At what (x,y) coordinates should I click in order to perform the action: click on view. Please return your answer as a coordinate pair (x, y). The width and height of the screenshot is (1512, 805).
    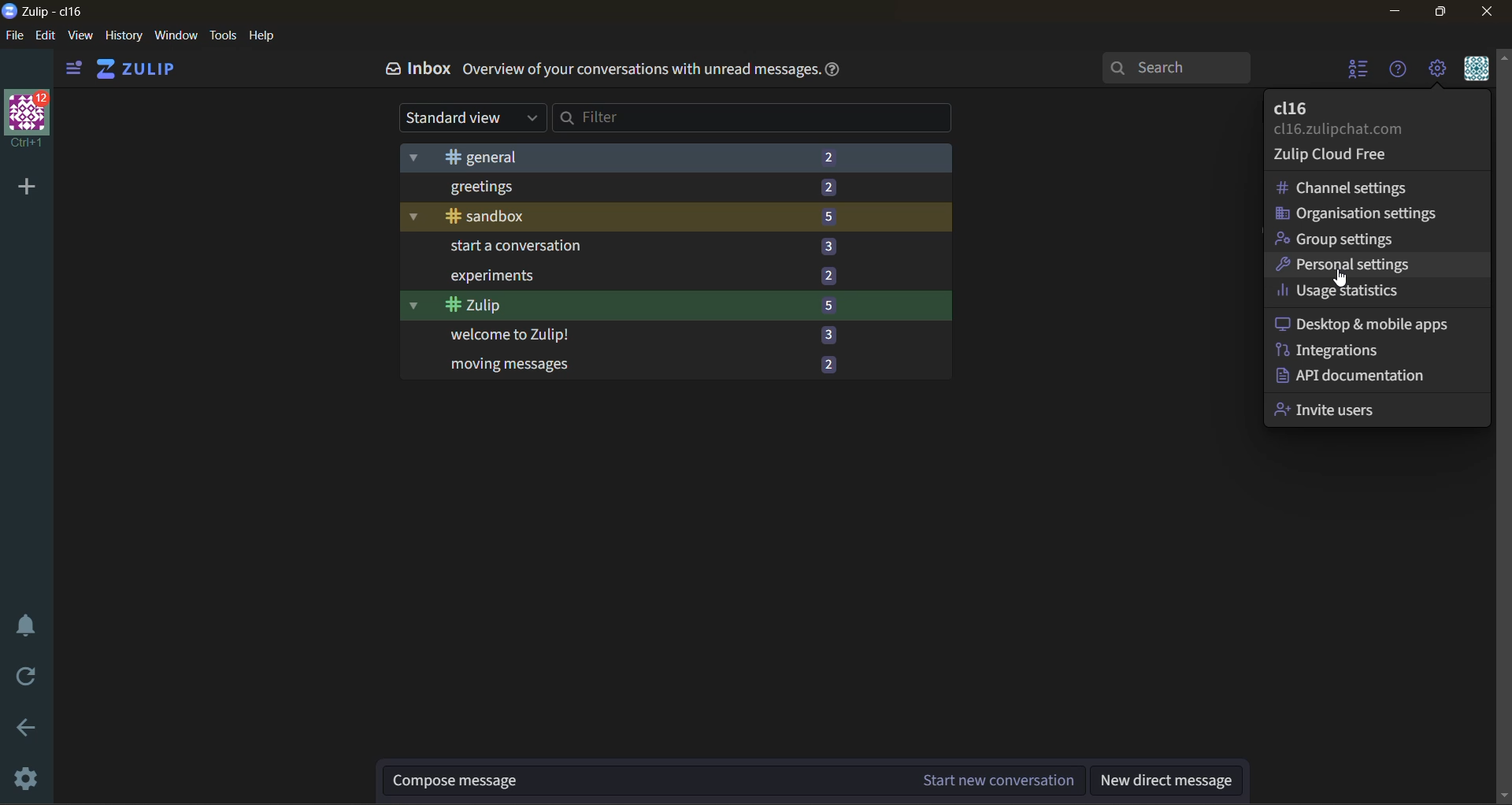
    Looking at the image, I should click on (83, 37).